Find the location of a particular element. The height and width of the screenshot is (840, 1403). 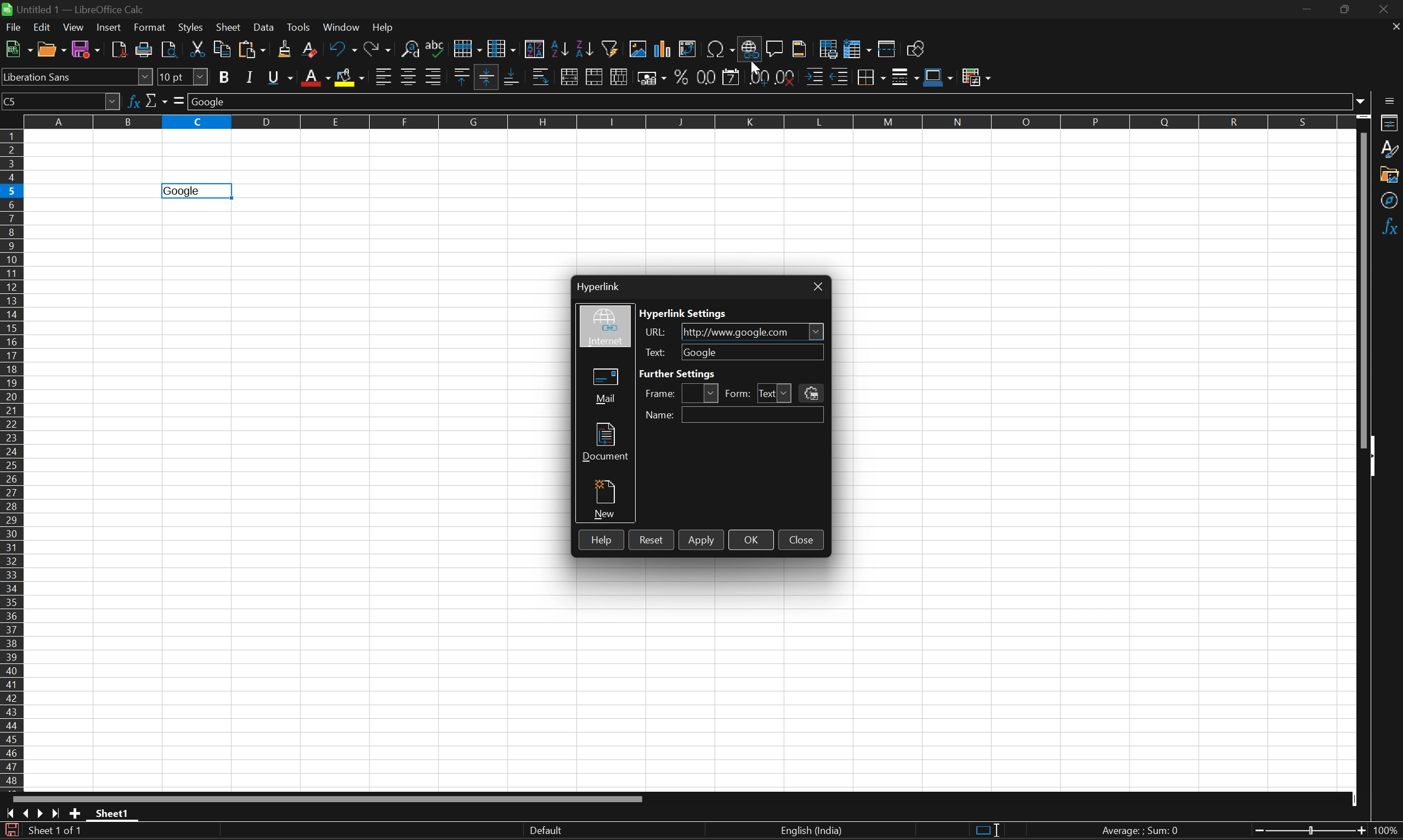

Close is located at coordinates (802, 539).